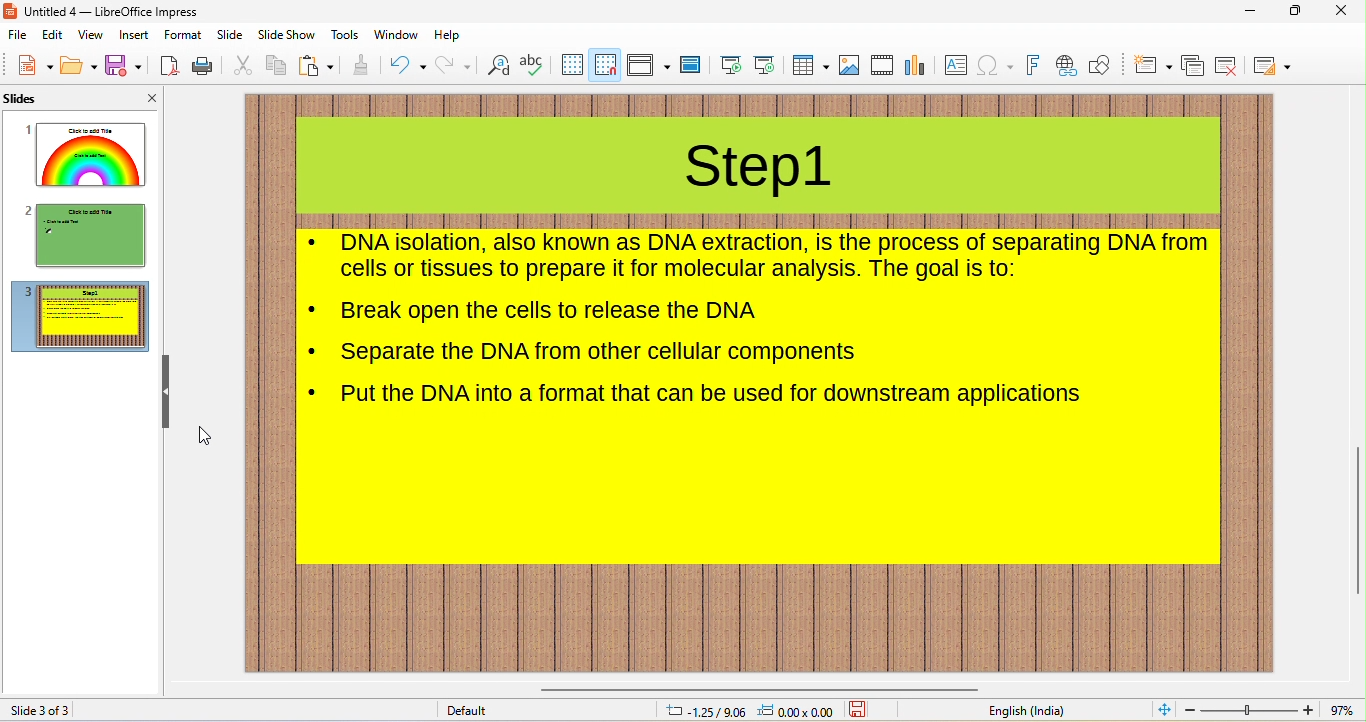 The width and height of the screenshot is (1366, 722). What do you see at coordinates (775, 256) in the screenshot?
I see `content` at bounding box center [775, 256].